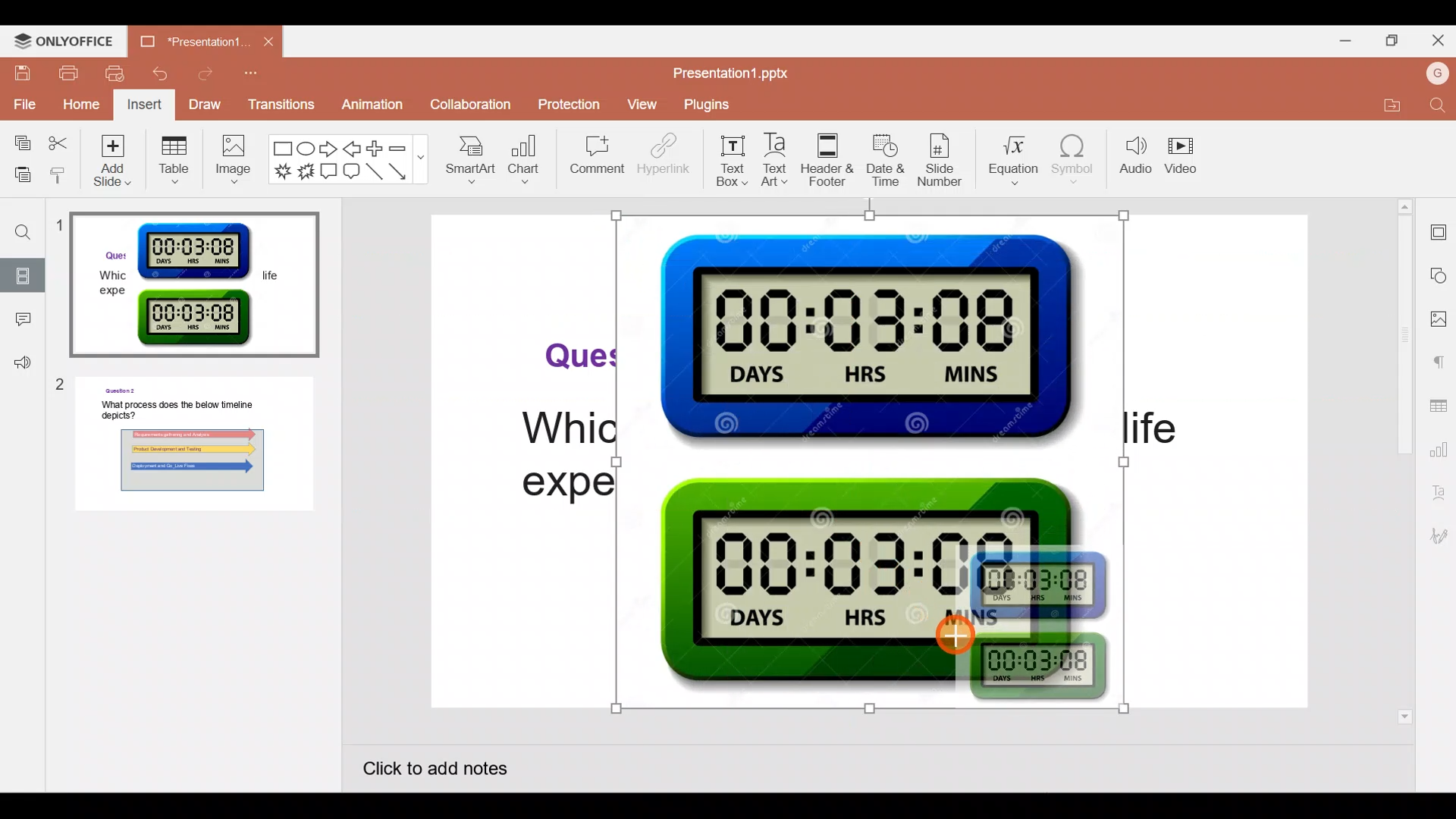  Describe the element at coordinates (450, 772) in the screenshot. I see `Click to add notes` at that location.